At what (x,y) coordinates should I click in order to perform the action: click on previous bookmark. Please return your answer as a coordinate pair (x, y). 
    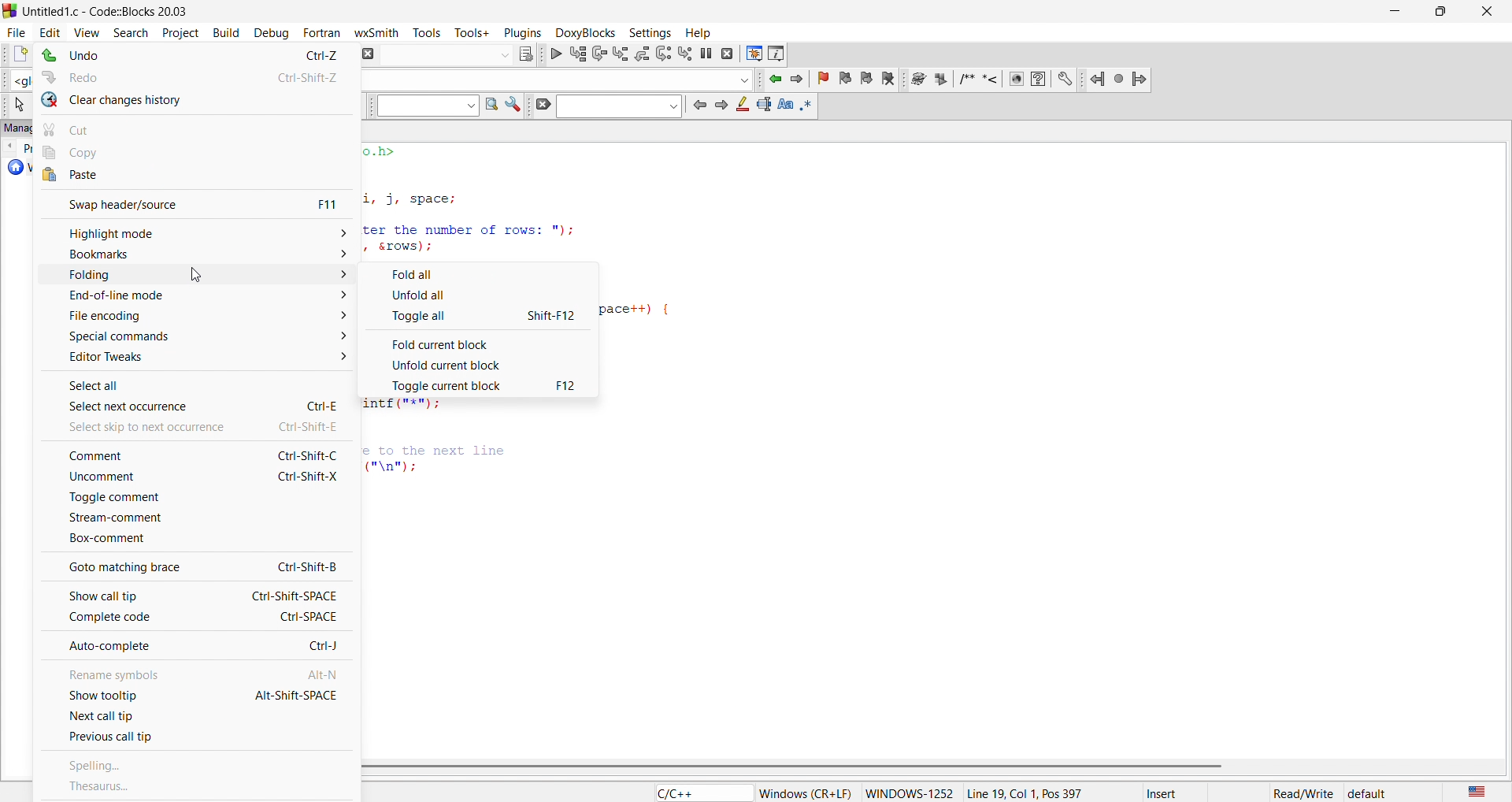
    Looking at the image, I should click on (847, 76).